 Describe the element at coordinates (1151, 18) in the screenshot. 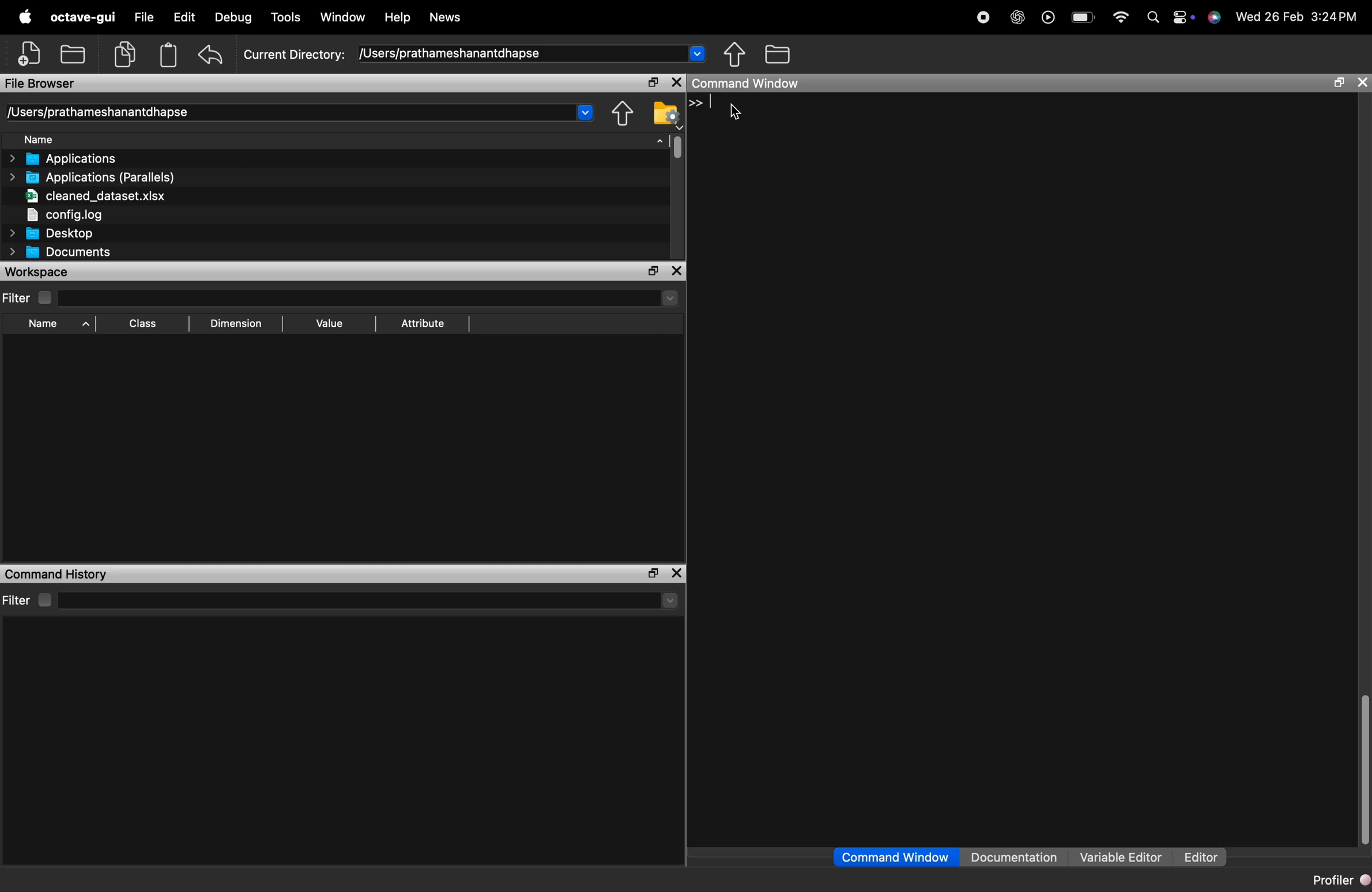

I see `search` at that location.